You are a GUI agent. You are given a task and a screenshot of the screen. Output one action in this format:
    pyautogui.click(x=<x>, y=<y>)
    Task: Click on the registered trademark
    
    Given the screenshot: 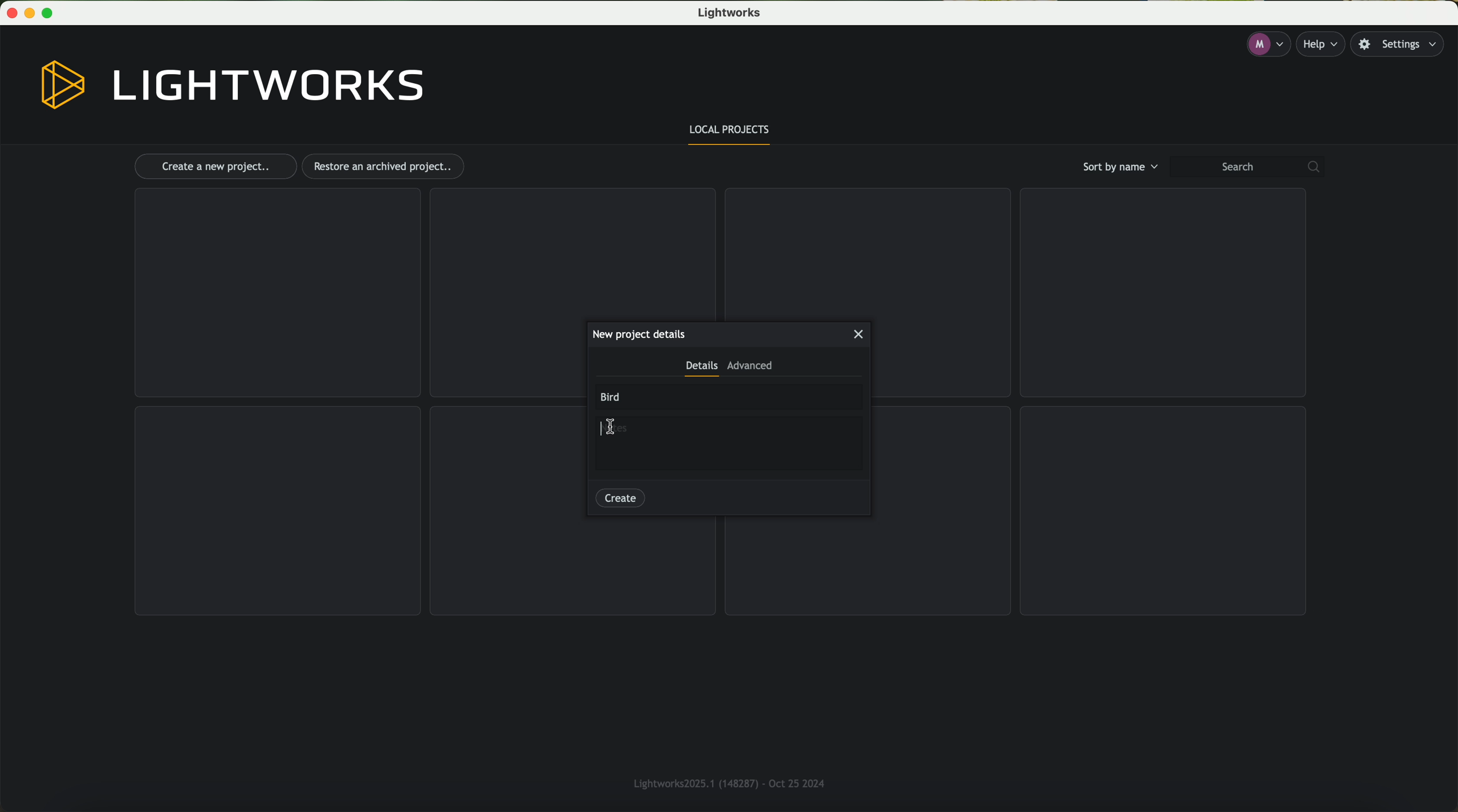 What is the action you would take?
    pyautogui.click(x=725, y=781)
    